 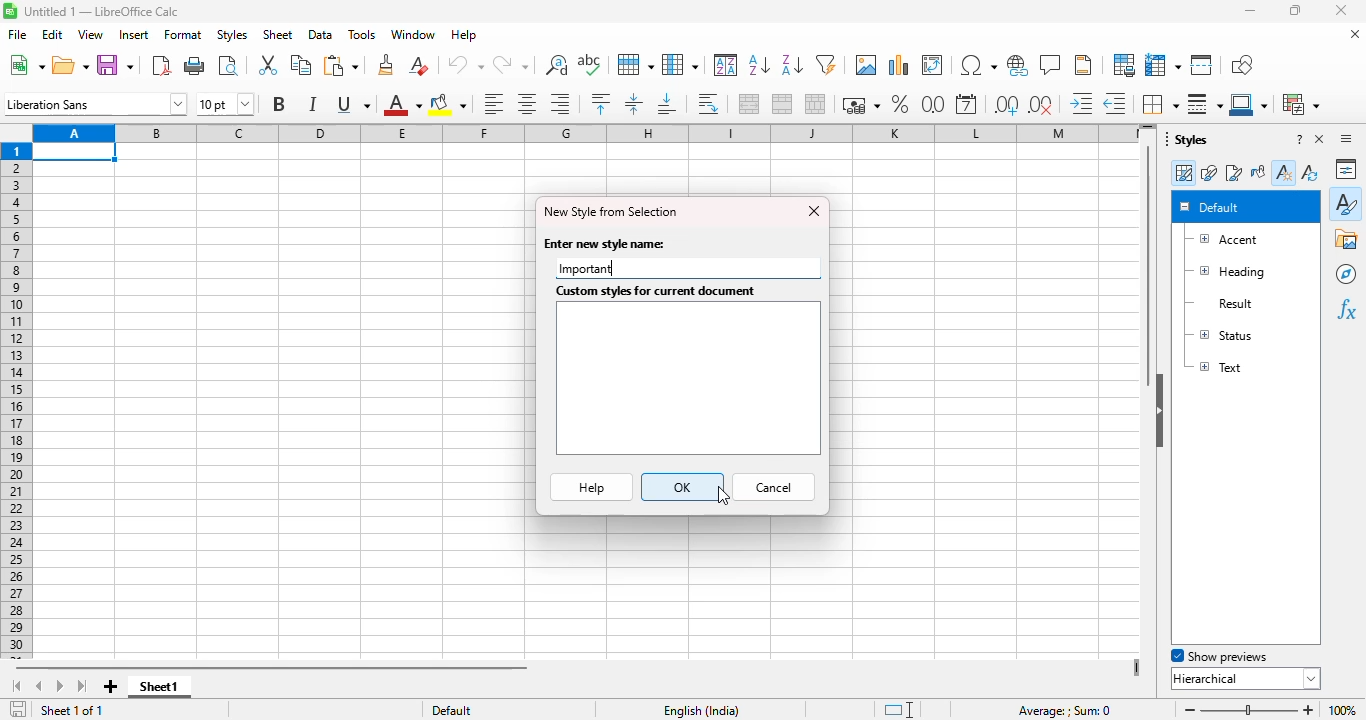 What do you see at coordinates (966, 104) in the screenshot?
I see `format as date` at bounding box center [966, 104].